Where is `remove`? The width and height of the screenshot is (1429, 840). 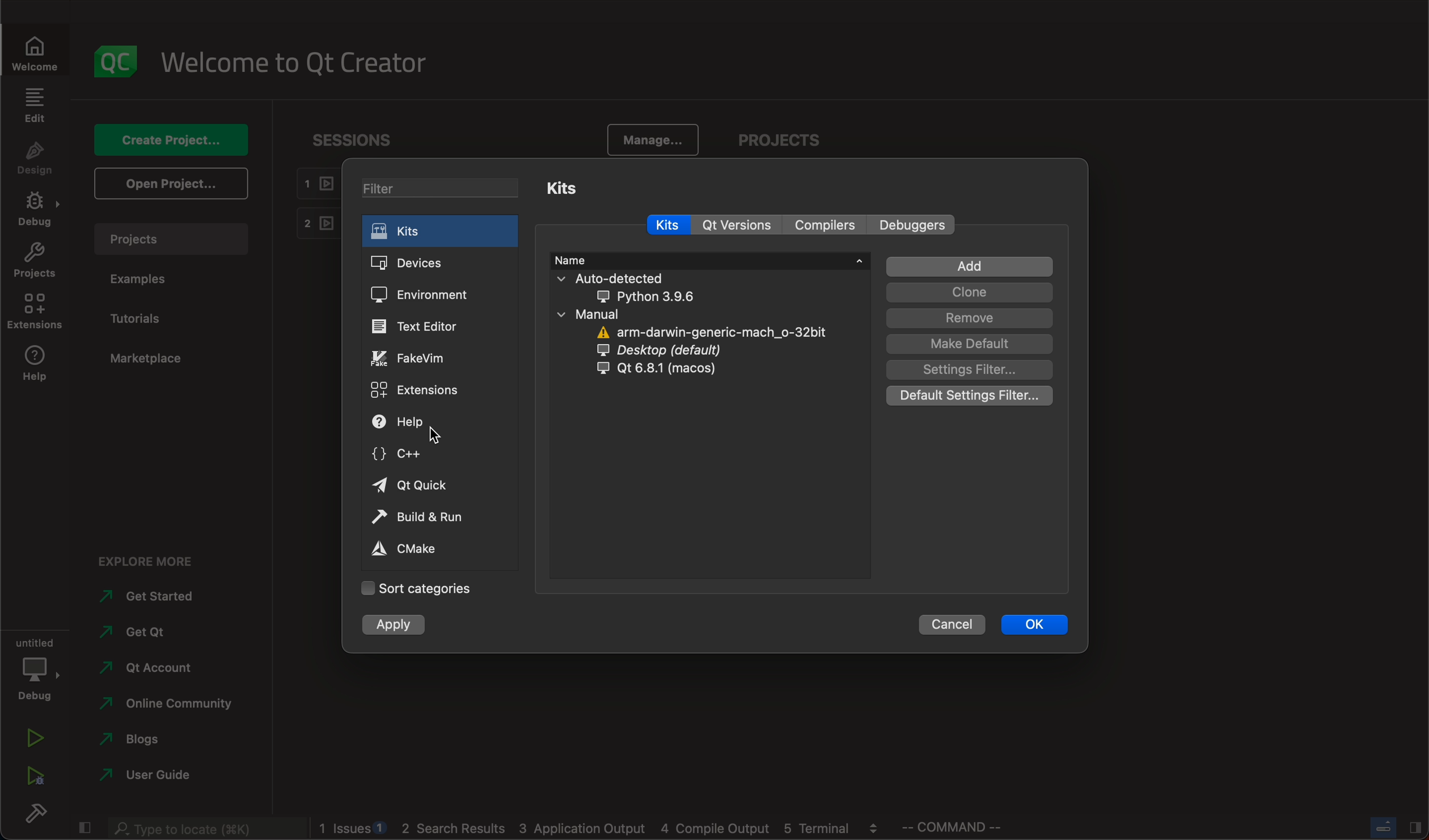 remove is located at coordinates (969, 318).